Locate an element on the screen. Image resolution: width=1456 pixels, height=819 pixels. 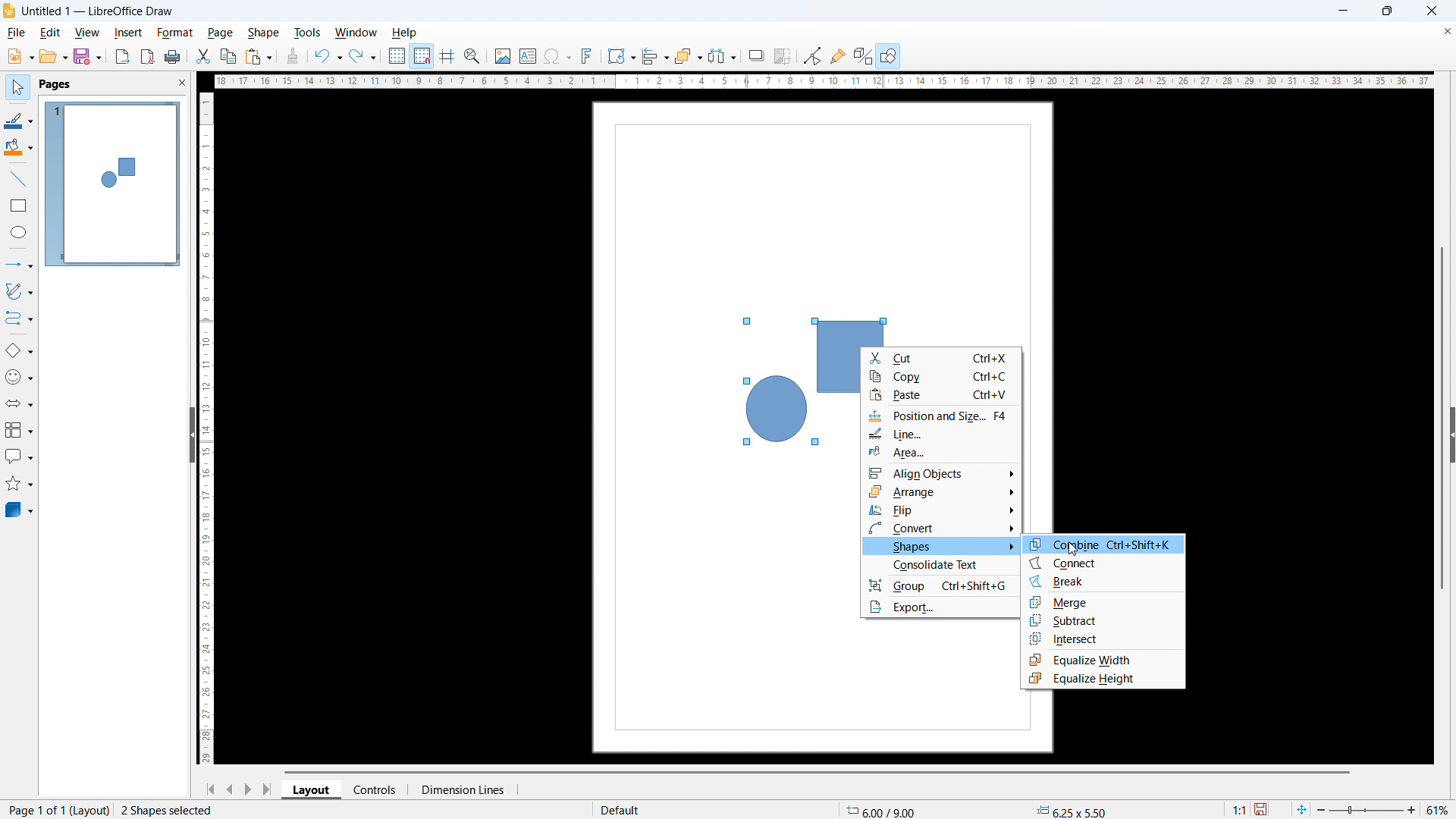
view is located at coordinates (87, 33).